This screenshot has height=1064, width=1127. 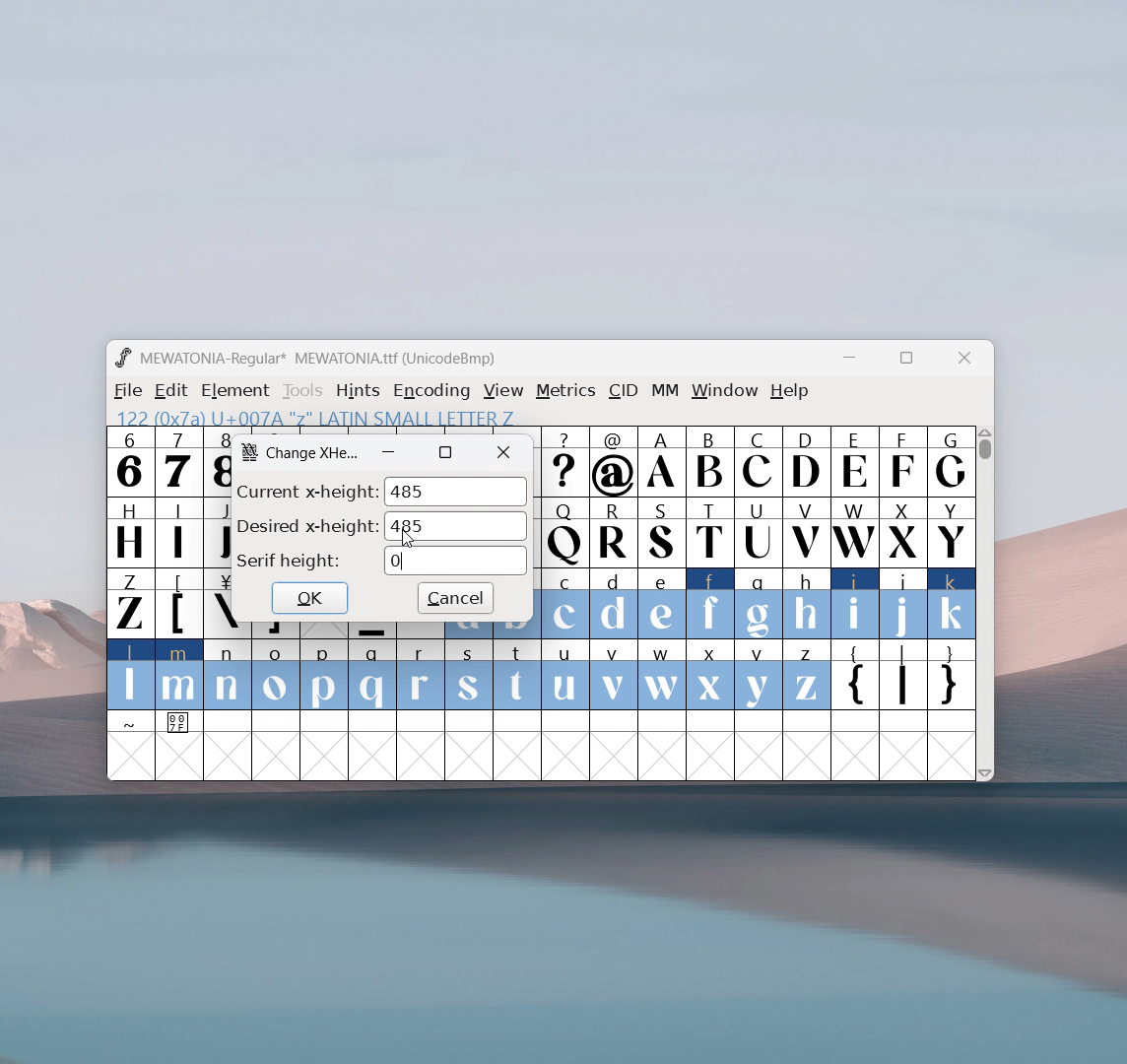 What do you see at coordinates (565, 391) in the screenshot?
I see `metrics` at bounding box center [565, 391].